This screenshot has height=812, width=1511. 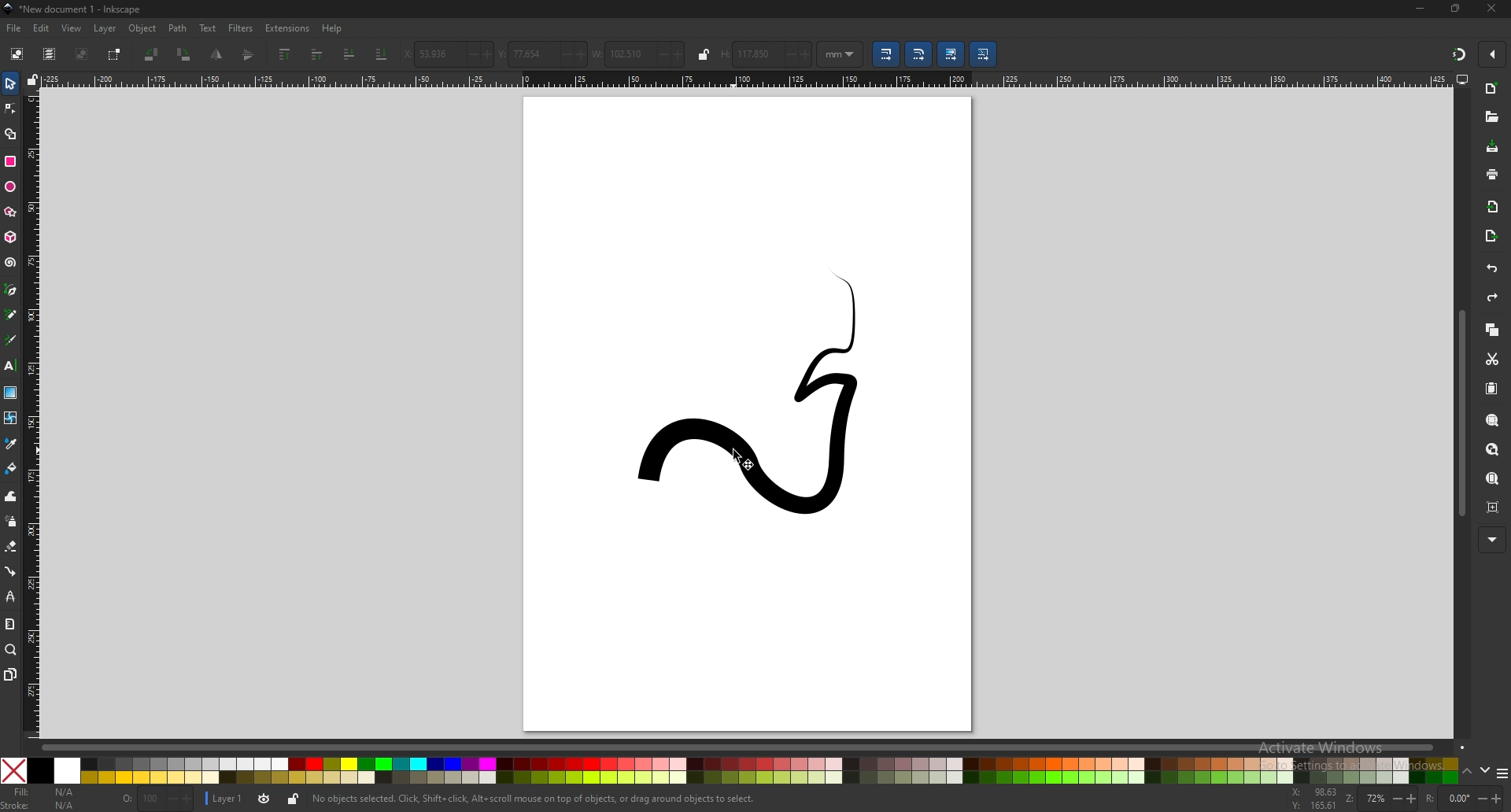 I want to click on display options, so click(x=1462, y=79).